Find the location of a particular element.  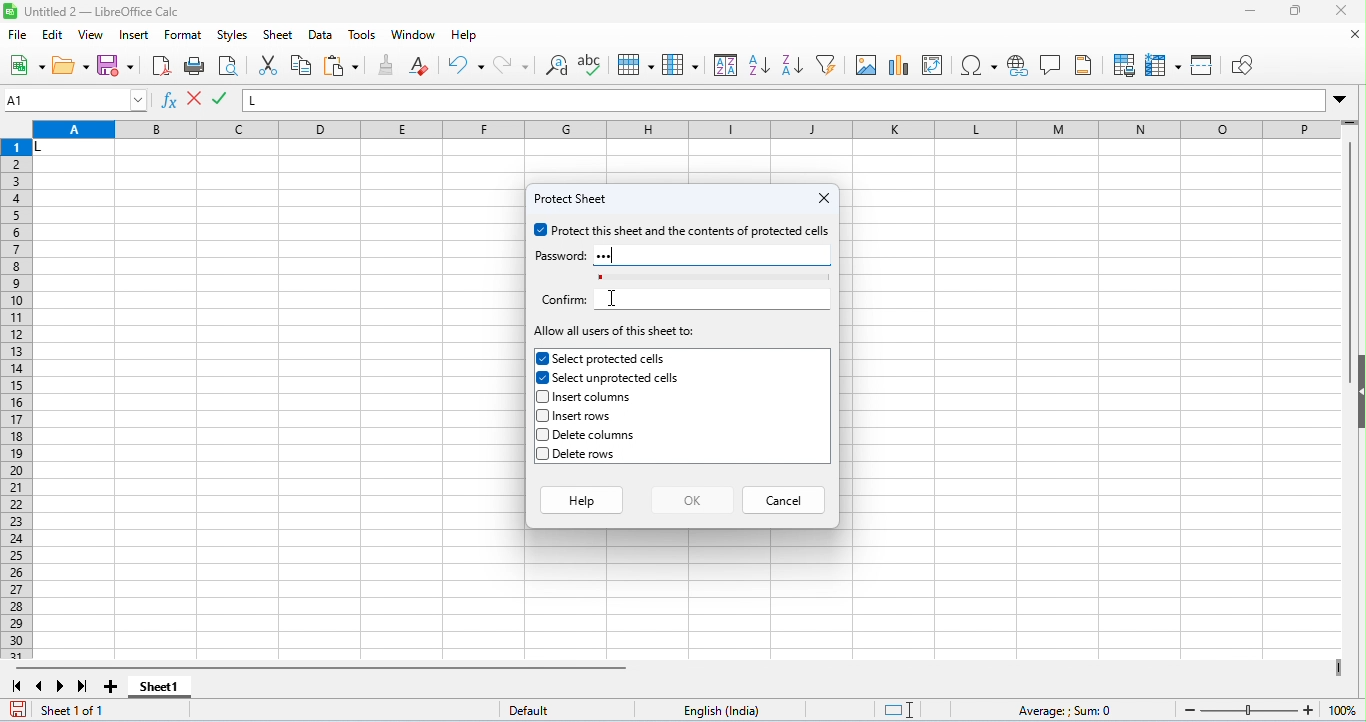

untitled 2- libreoffice calc is located at coordinates (94, 11).